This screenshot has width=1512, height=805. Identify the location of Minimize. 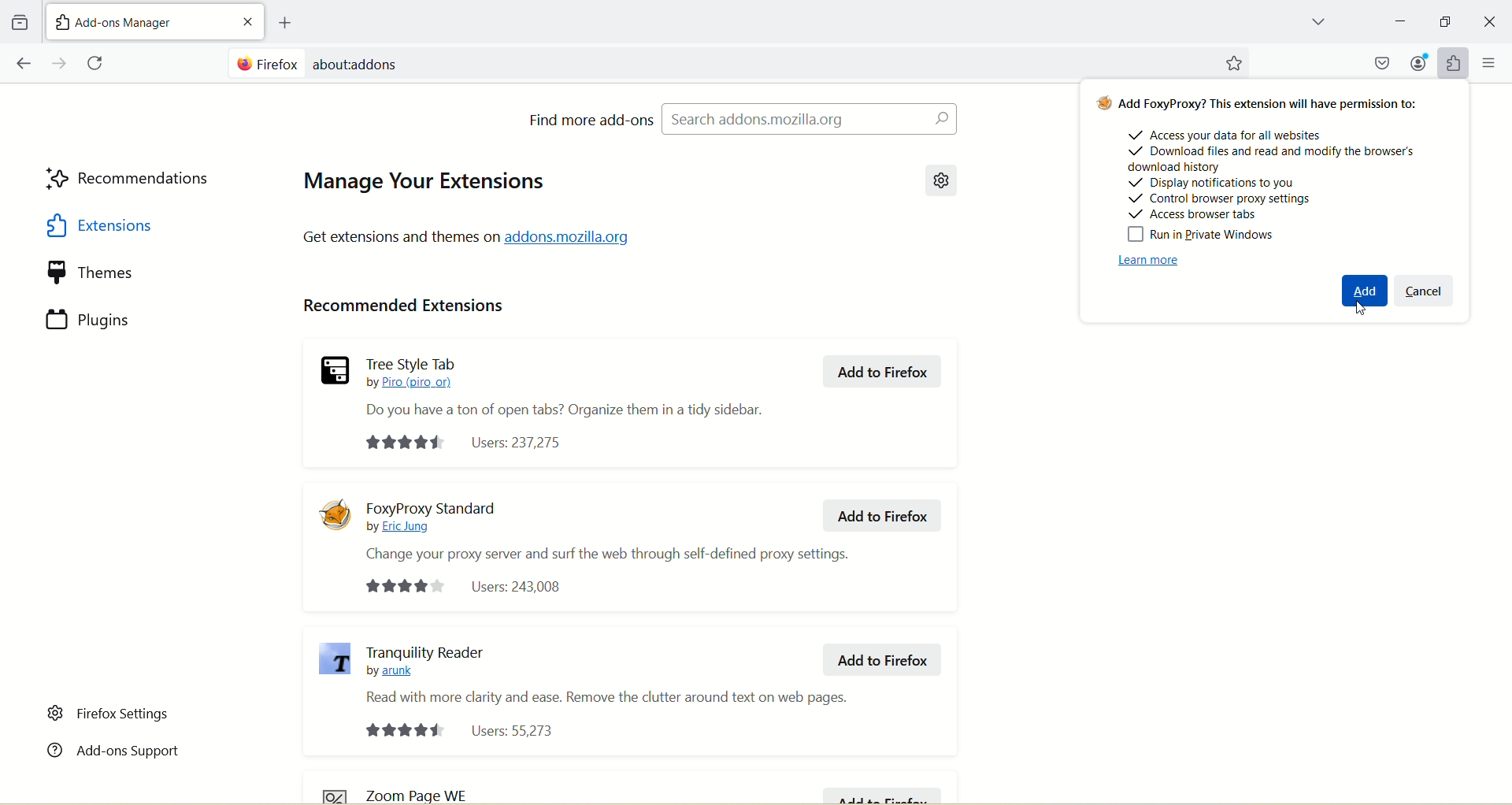
(1445, 21).